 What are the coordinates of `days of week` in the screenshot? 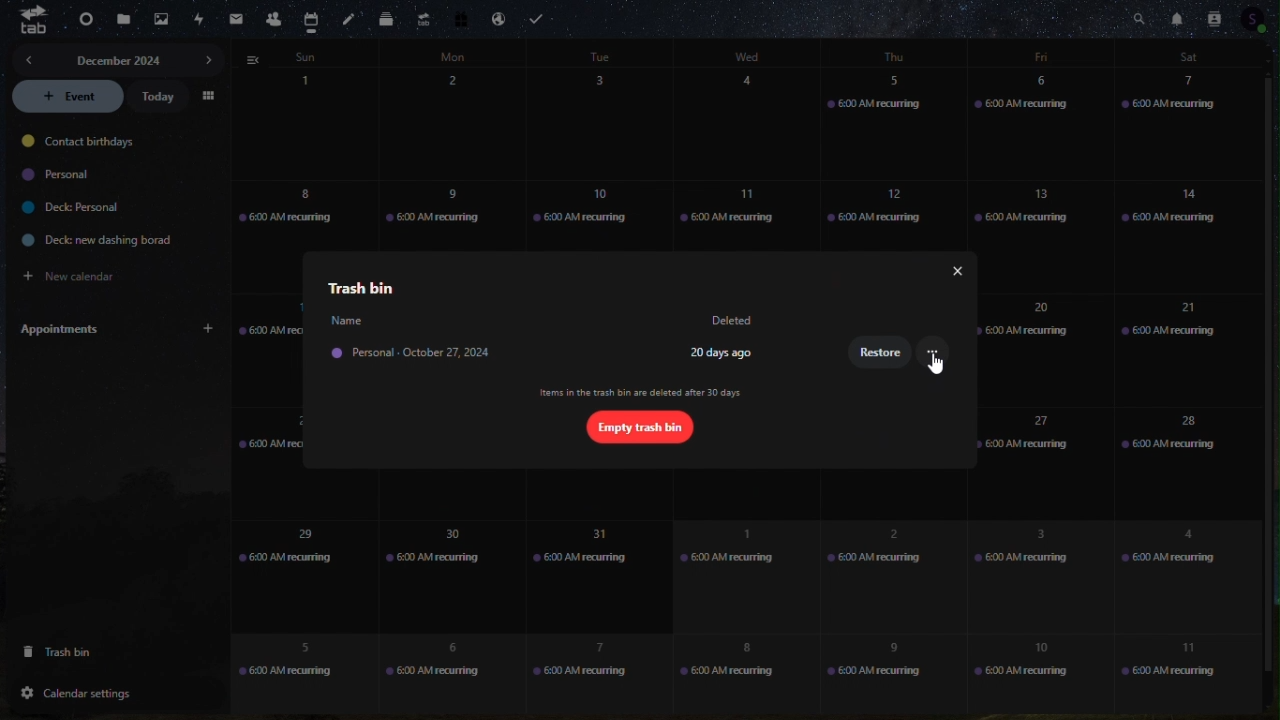 It's located at (747, 55).